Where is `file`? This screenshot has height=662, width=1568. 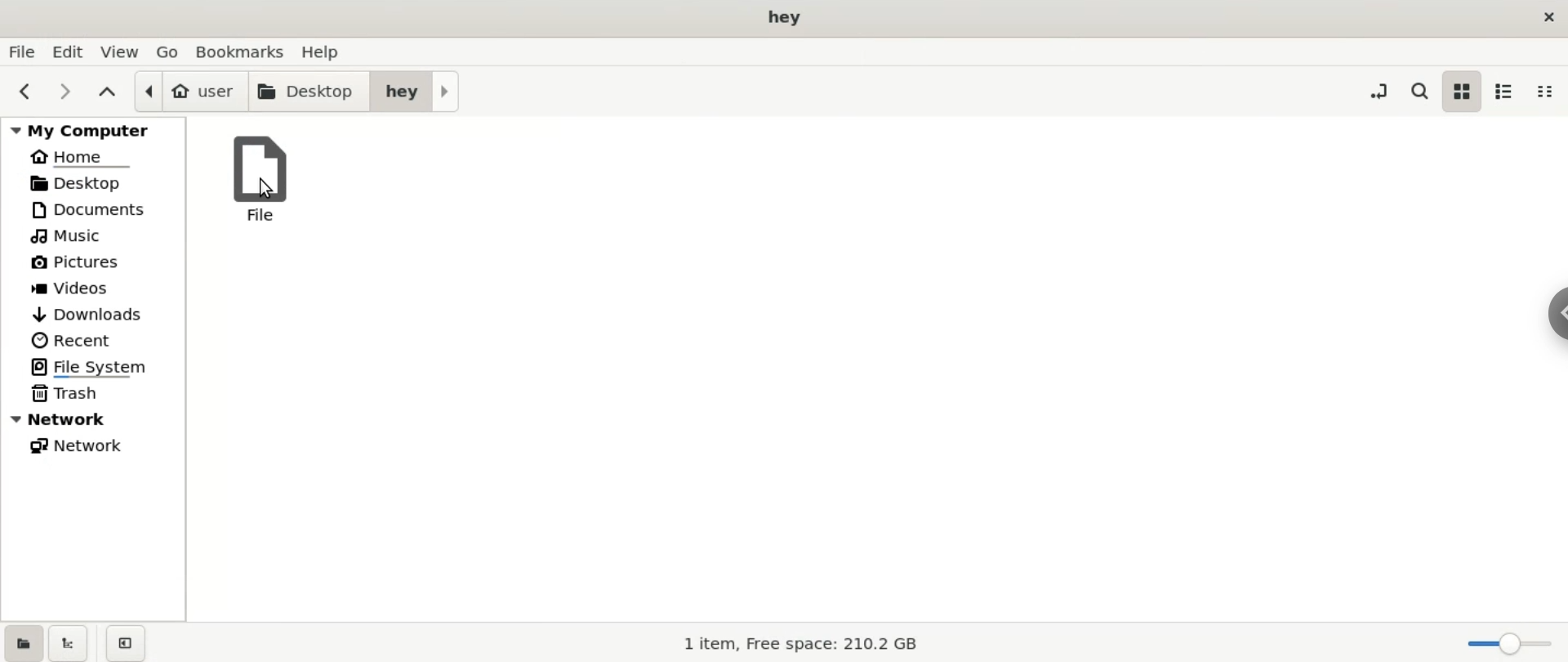 file is located at coordinates (266, 177).